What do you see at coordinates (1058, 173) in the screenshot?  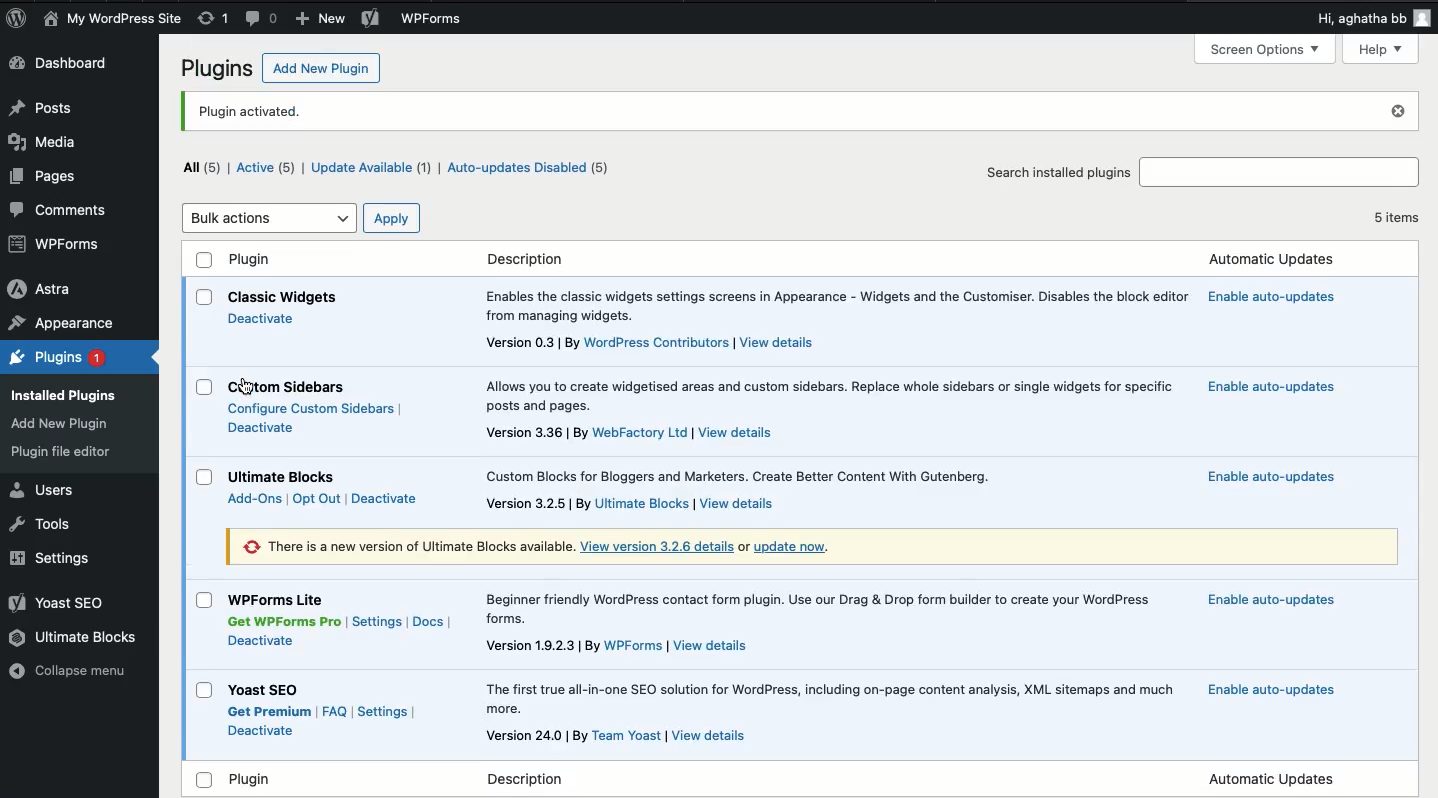 I see `Search installed plugins` at bounding box center [1058, 173].